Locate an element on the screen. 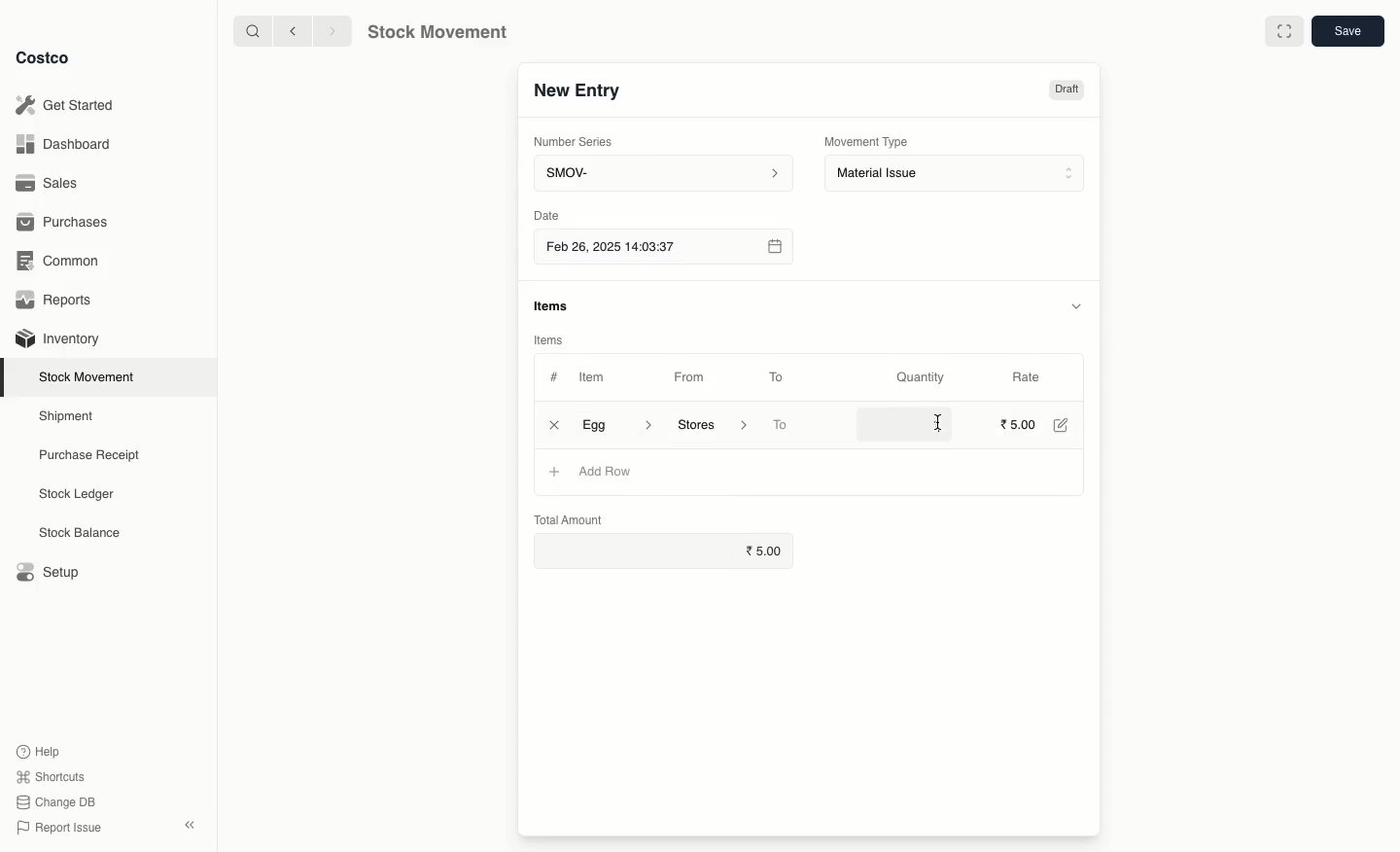 The image size is (1400, 852). Purchases is located at coordinates (66, 224).